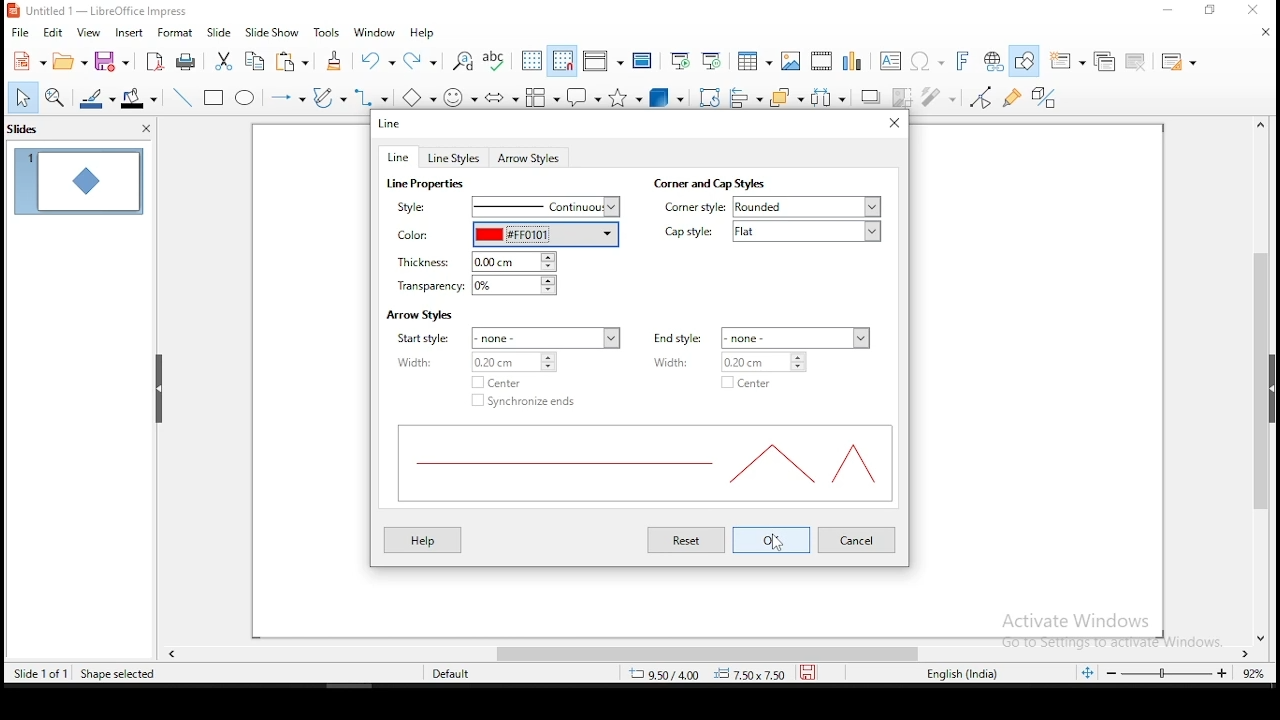  What do you see at coordinates (627, 97) in the screenshot?
I see `stars and banners` at bounding box center [627, 97].